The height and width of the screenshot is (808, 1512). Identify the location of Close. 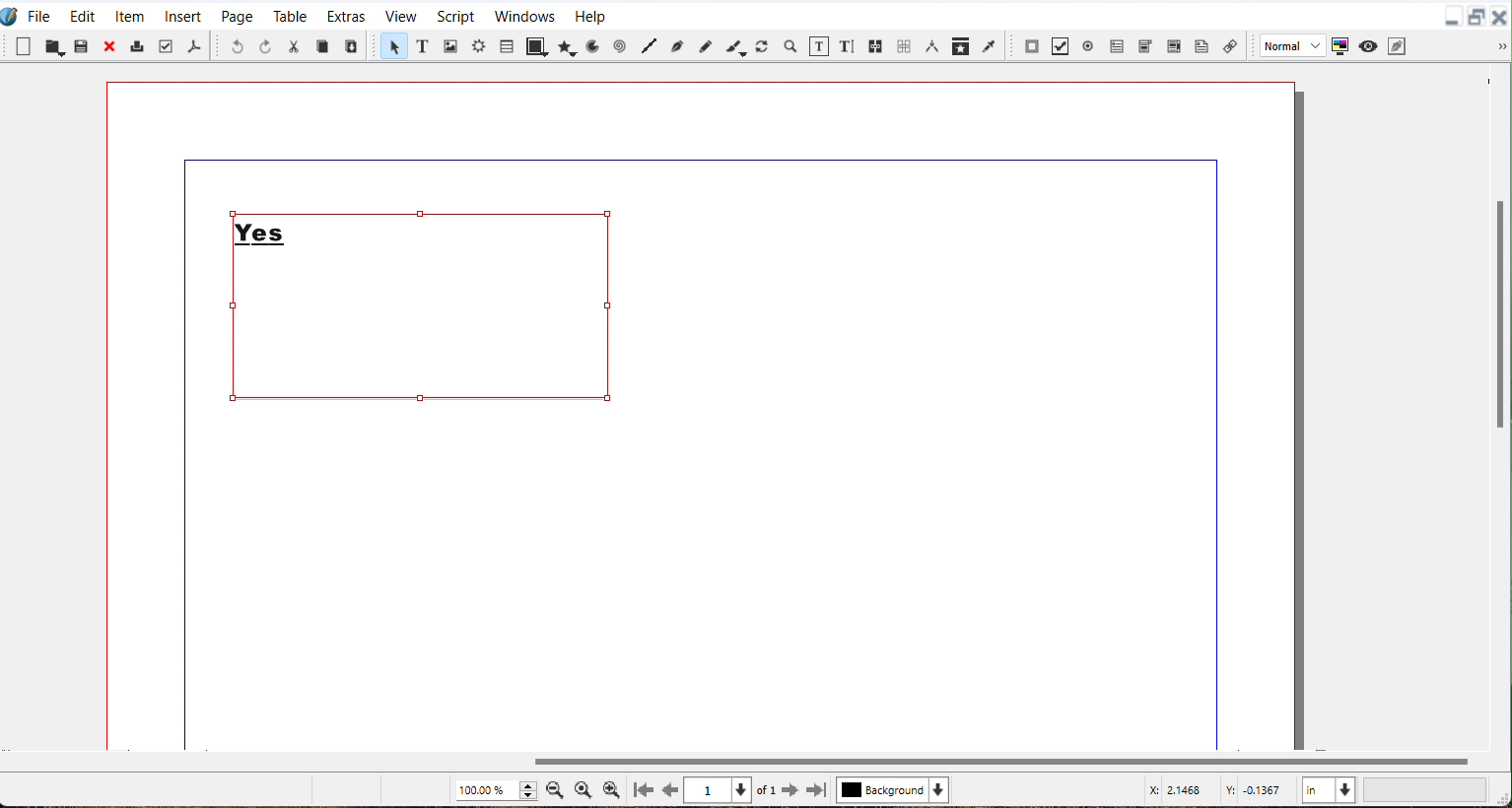
(111, 46).